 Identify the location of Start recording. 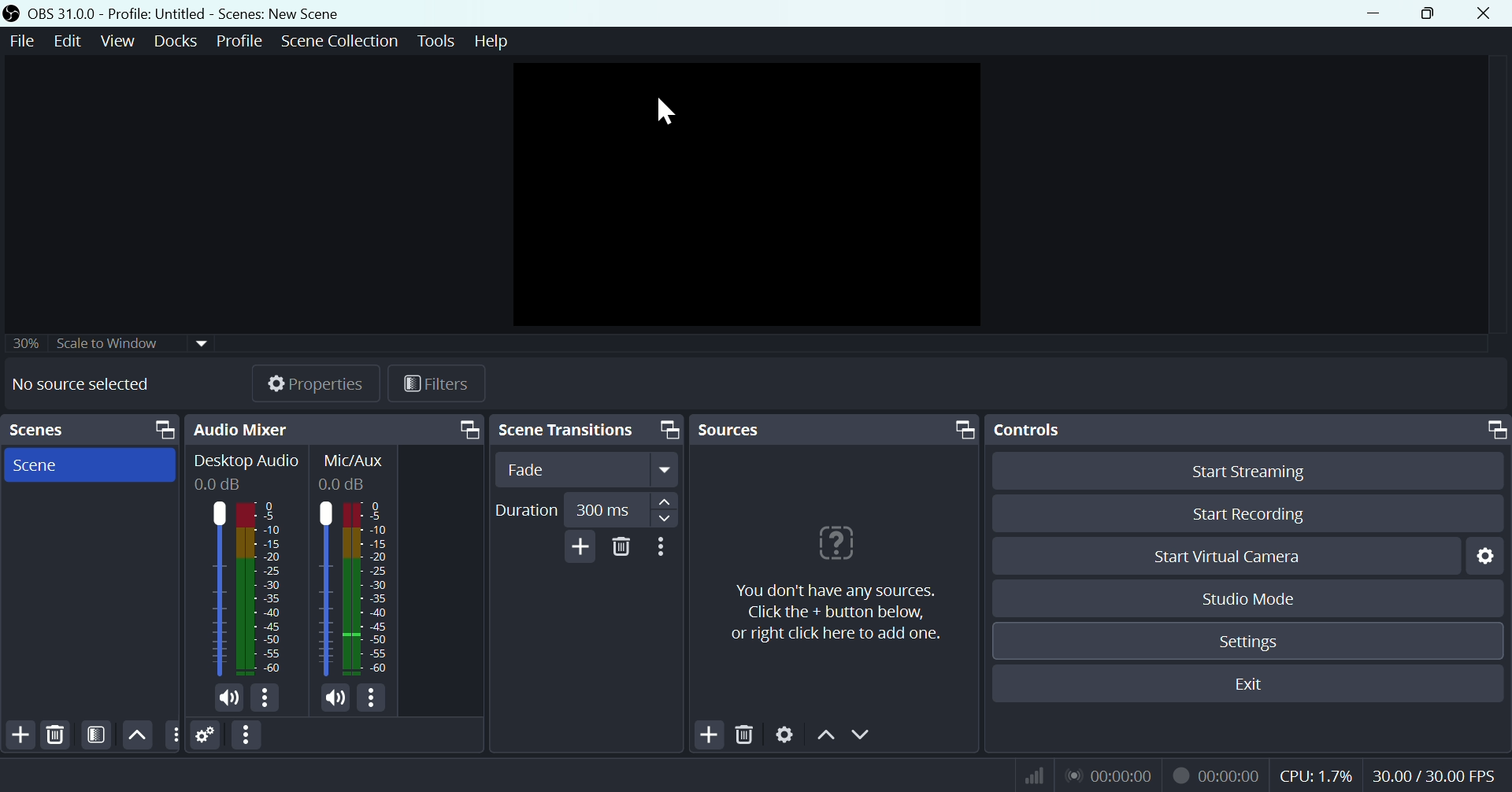
(1237, 516).